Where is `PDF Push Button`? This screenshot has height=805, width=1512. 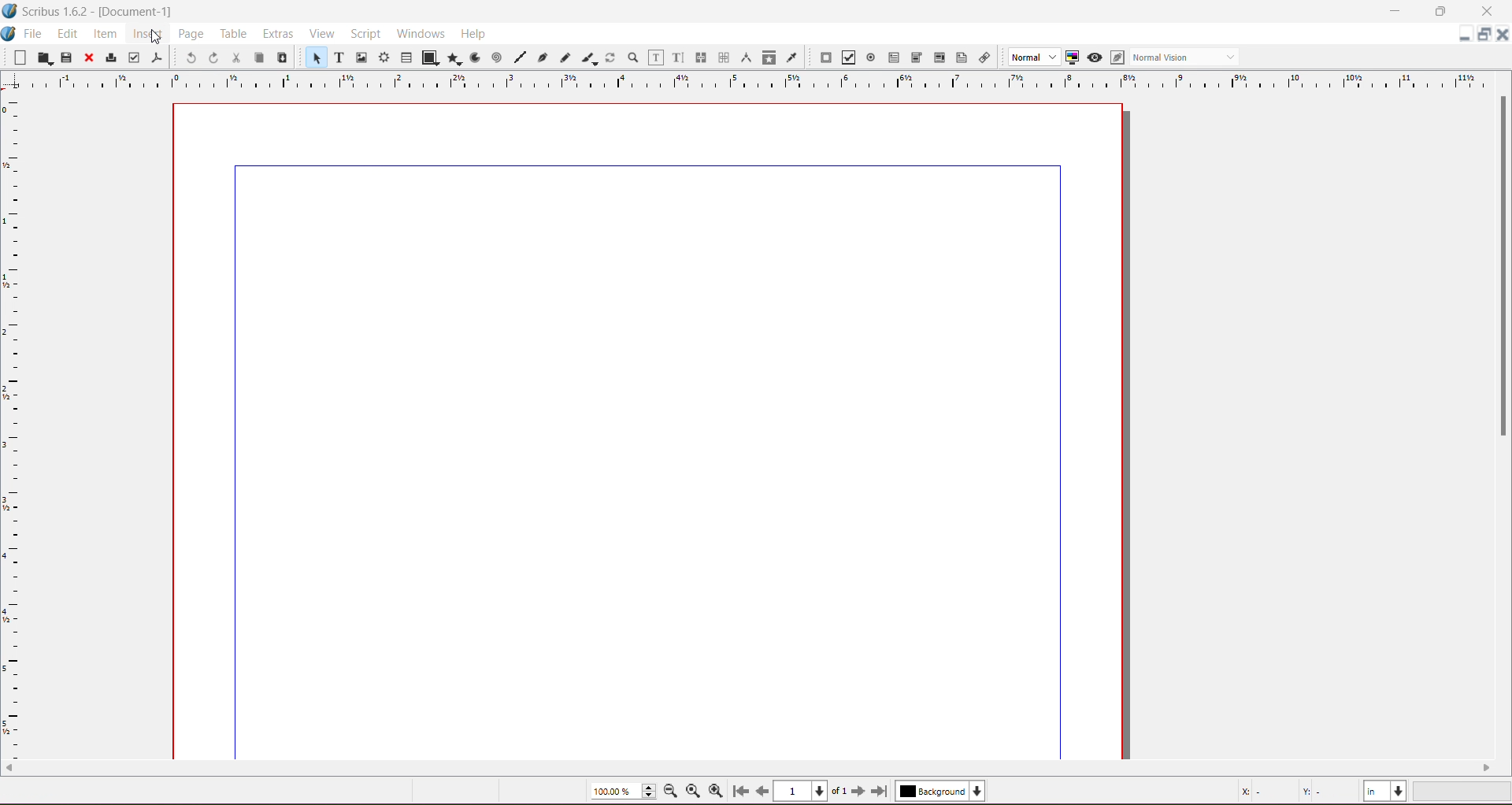 PDF Push Button is located at coordinates (825, 57).